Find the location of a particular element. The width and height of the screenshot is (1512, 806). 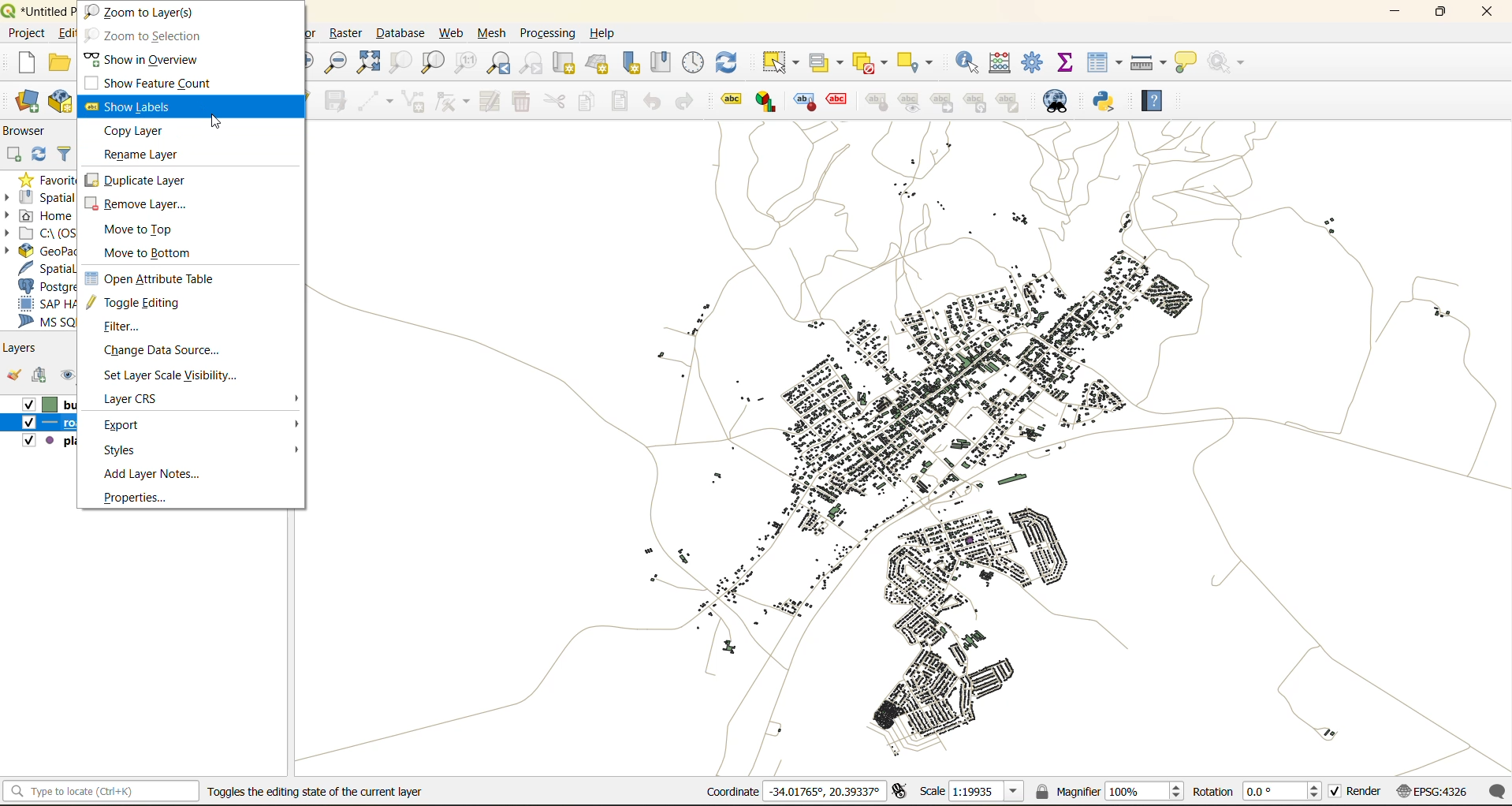

new map view is located at coordinates (564, 65).